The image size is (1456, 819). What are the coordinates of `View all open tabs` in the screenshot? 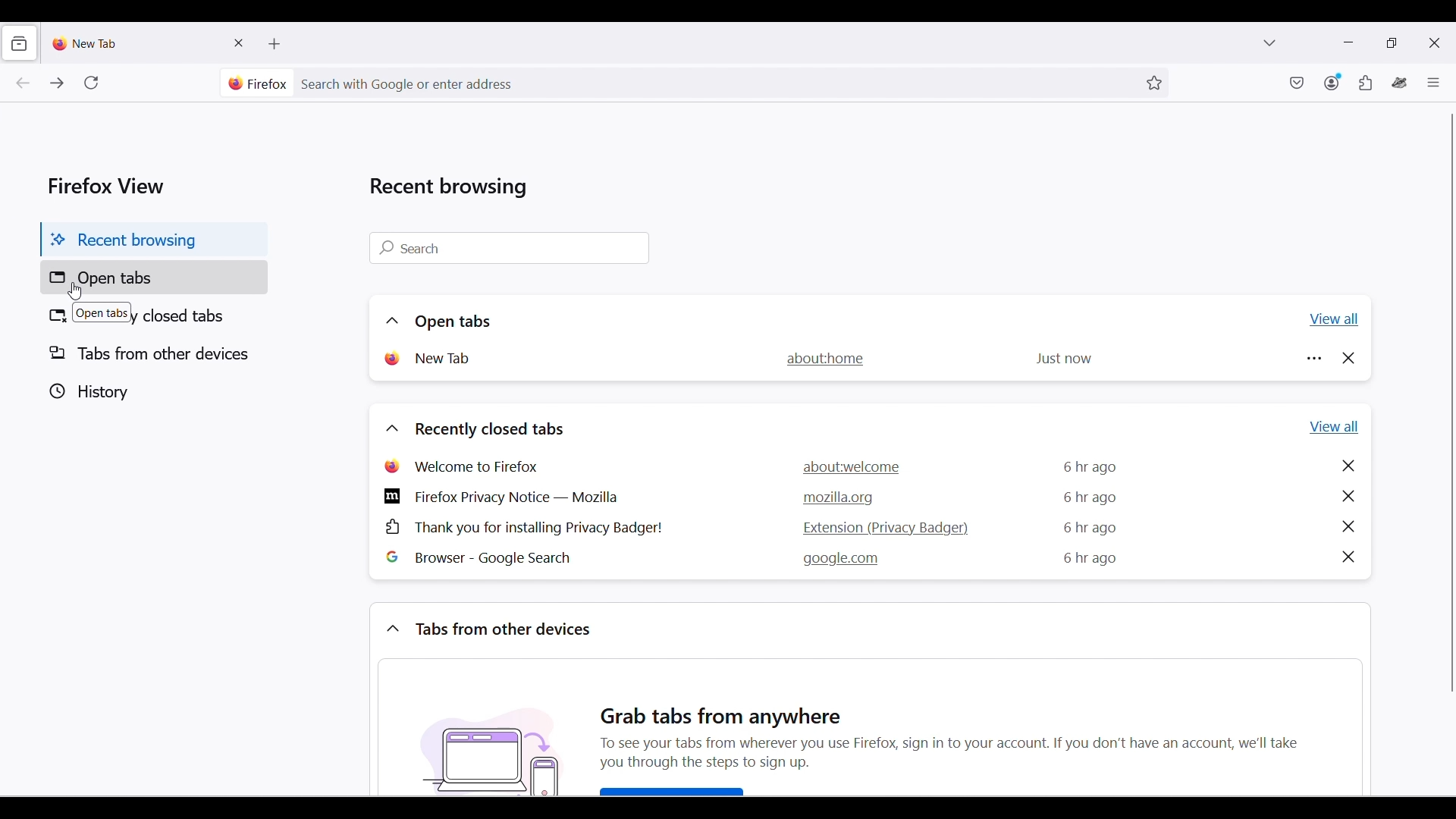 It's located at (1334, 319).